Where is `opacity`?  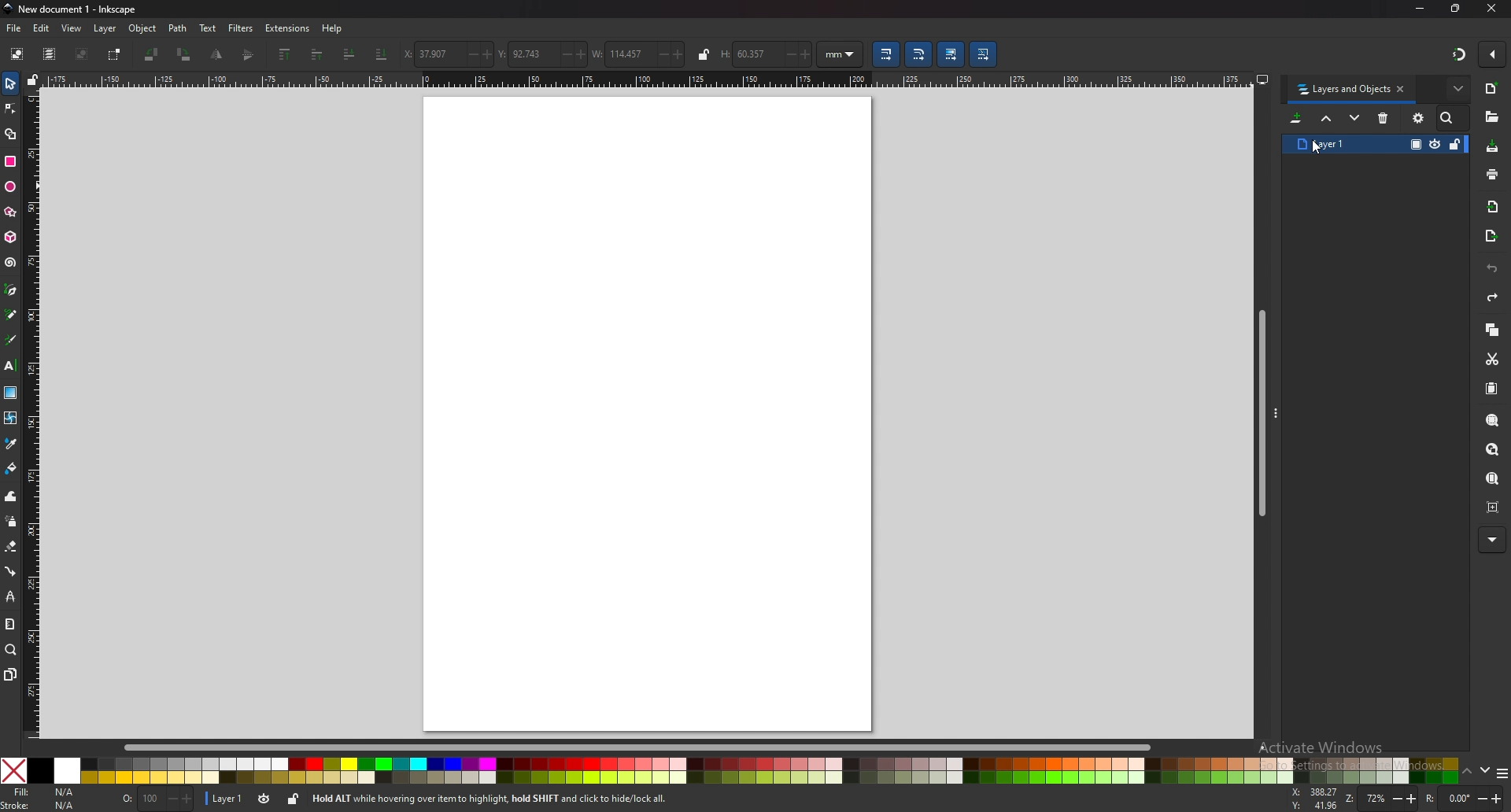
opacity is located at coordinates (1416, 143).